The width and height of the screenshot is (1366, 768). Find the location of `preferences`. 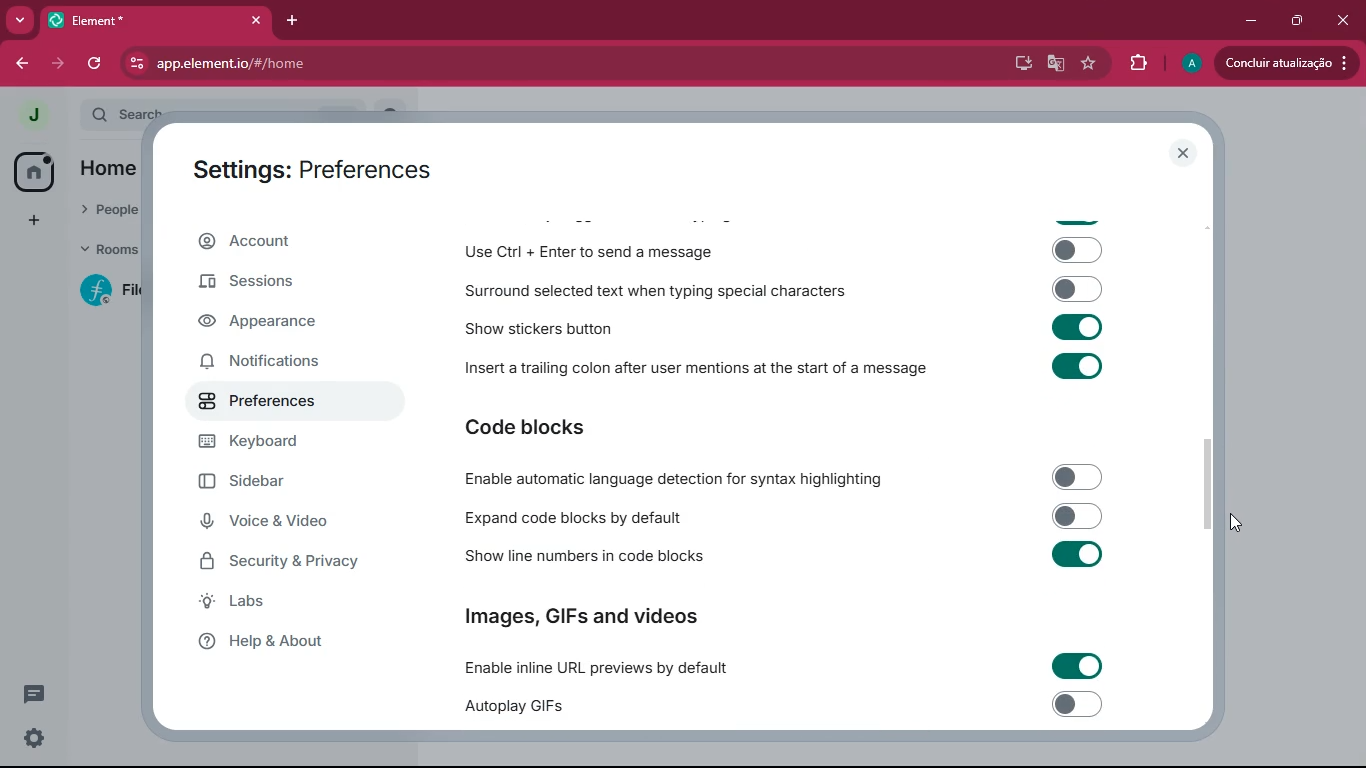

preferences is located at coordinates (268, 404).